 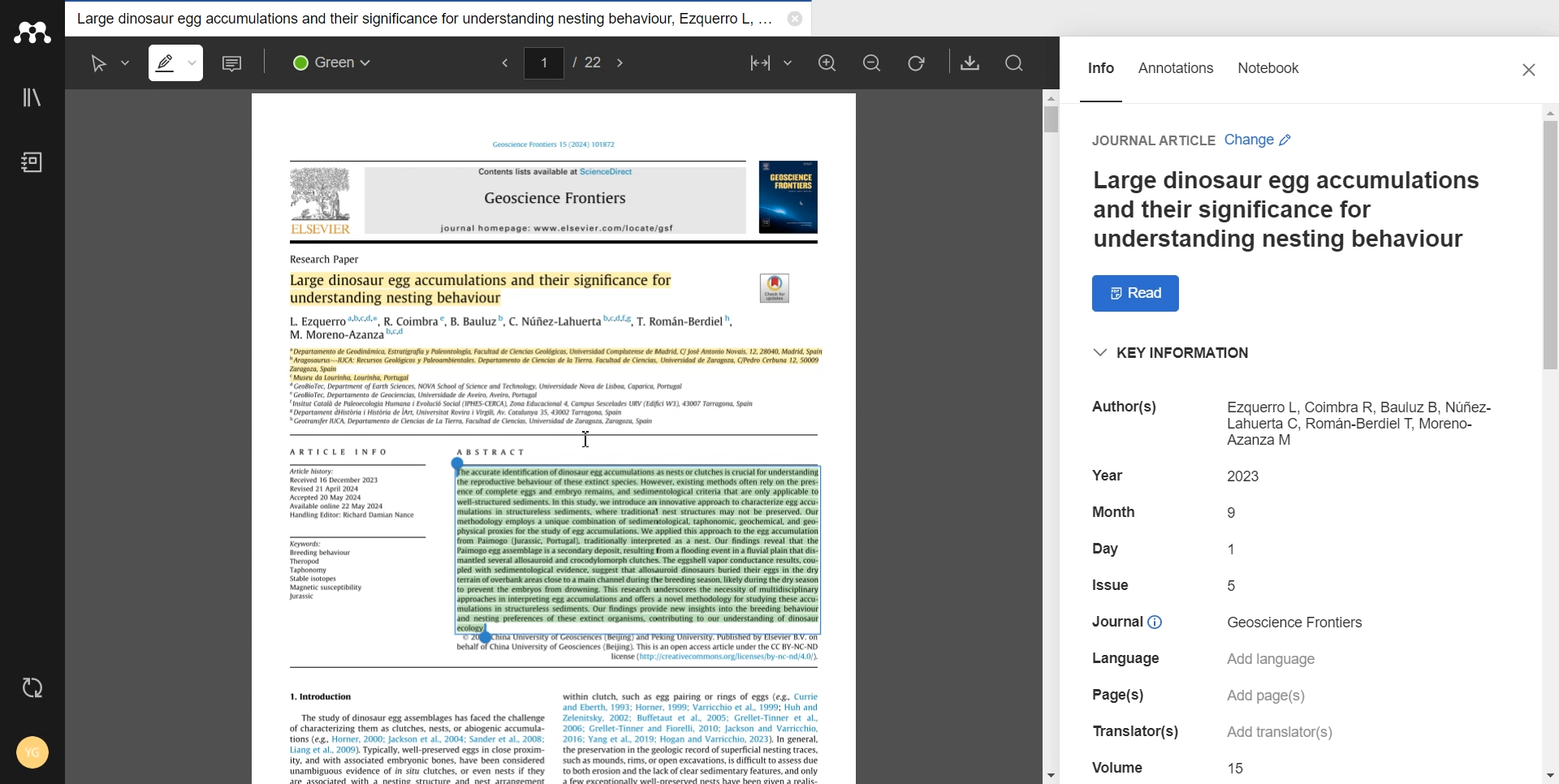 What do you see at coordinates (525, 406) in the screenshot?
I see `text paragraph` at bounding box center [525, 406].